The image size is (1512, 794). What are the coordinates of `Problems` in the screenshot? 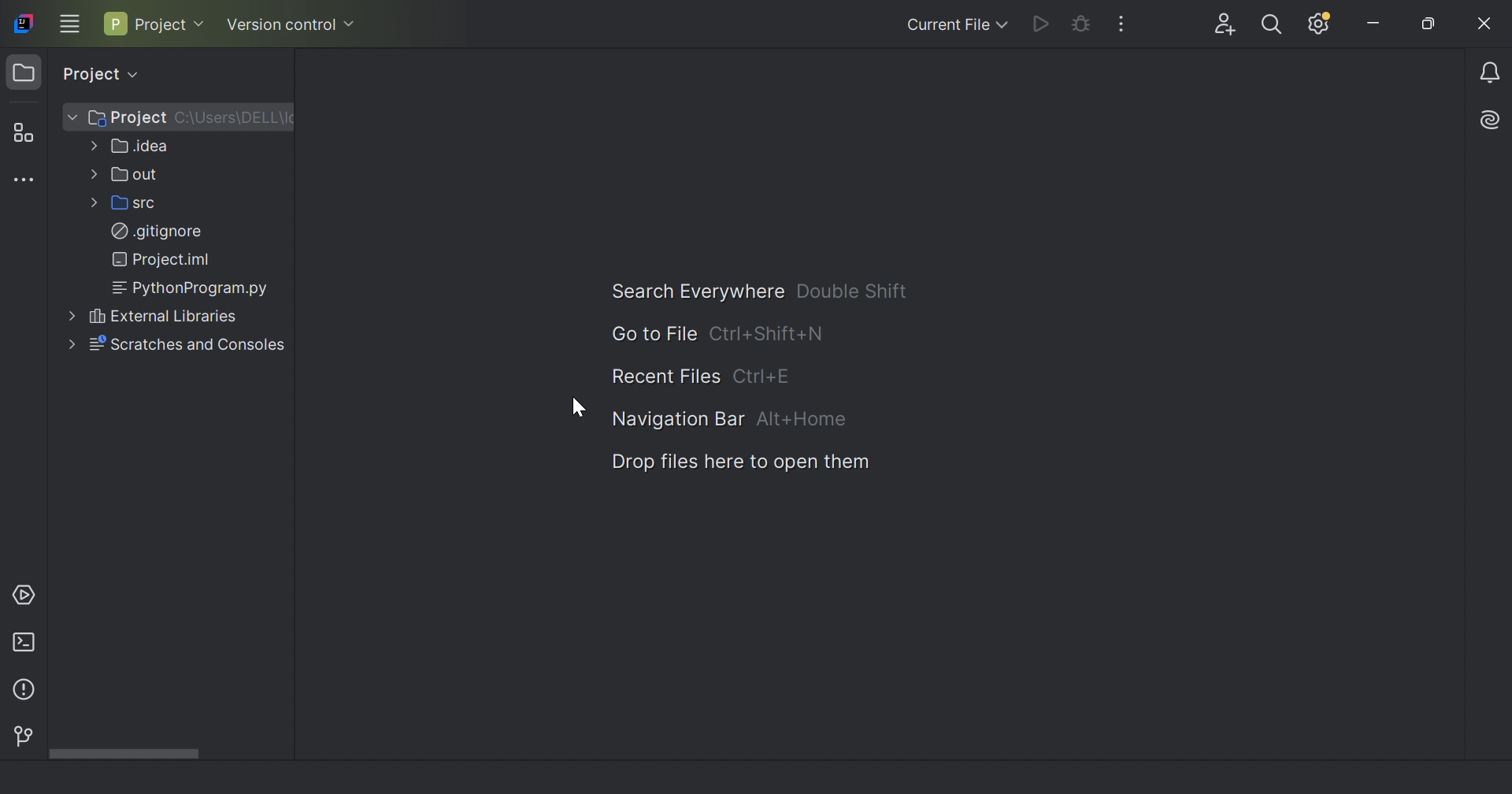 It's located at (22, 692).